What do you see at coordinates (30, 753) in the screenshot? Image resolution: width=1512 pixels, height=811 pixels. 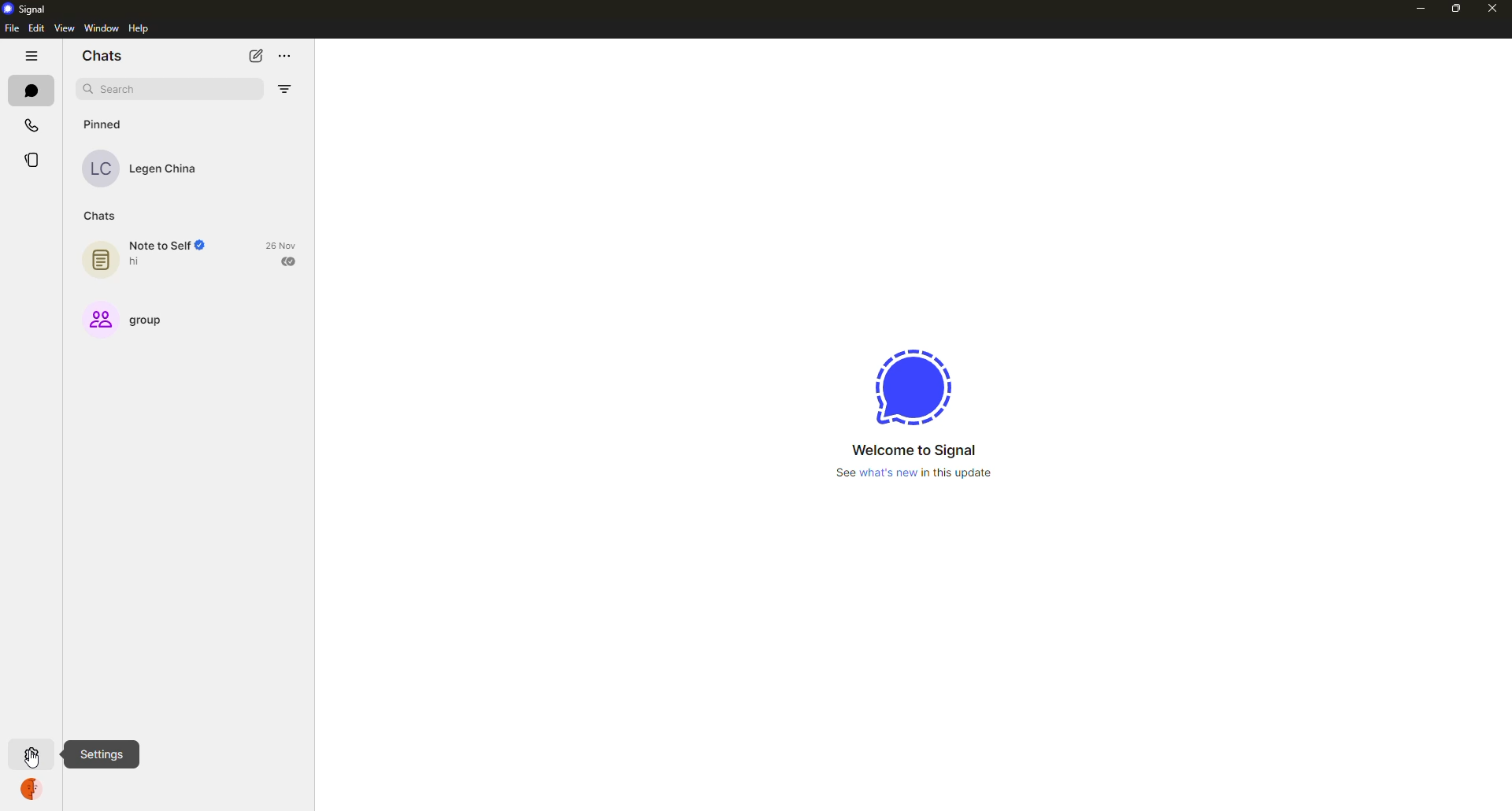 I see `settings` at bounding box center [30, 753].